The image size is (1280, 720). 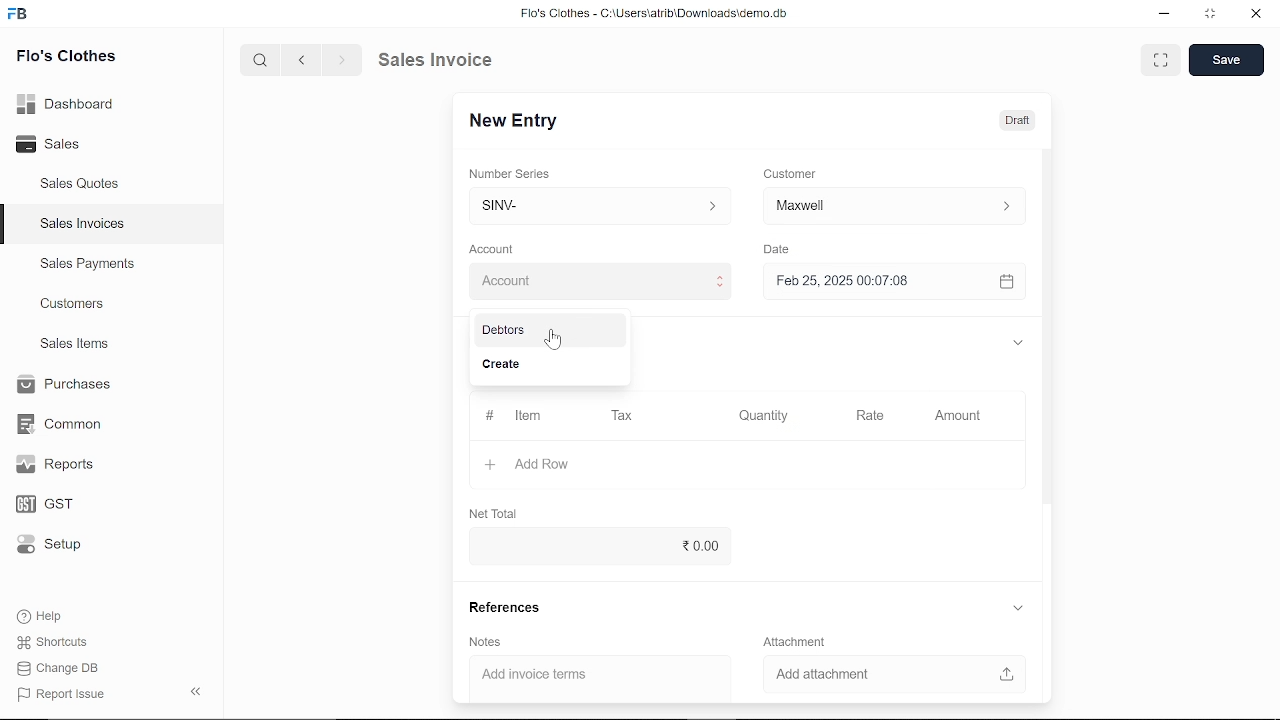 I want to click on Help, so click(x=42, y=616).